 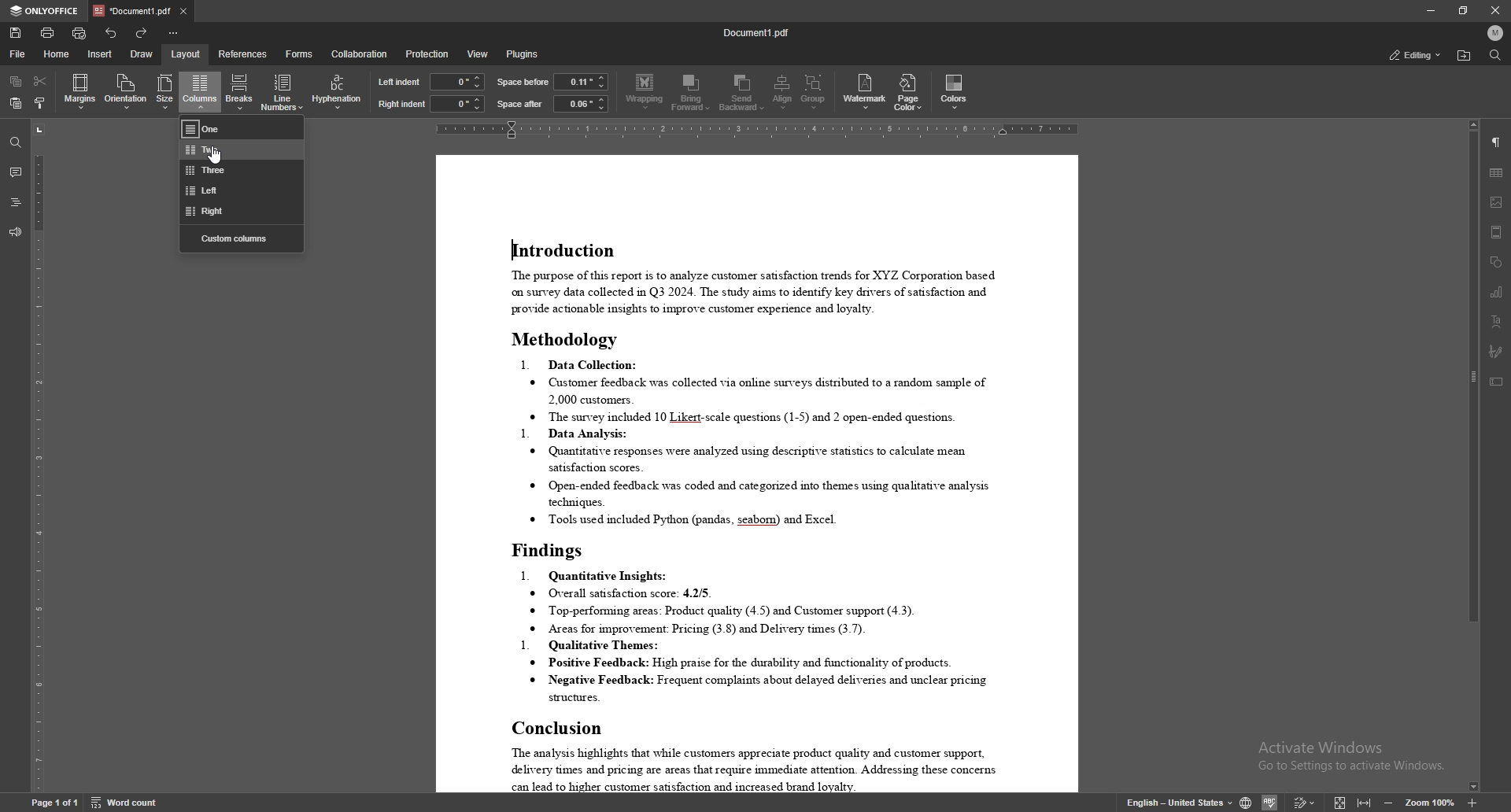 I want to click on table, so click(x=1497, y=173).